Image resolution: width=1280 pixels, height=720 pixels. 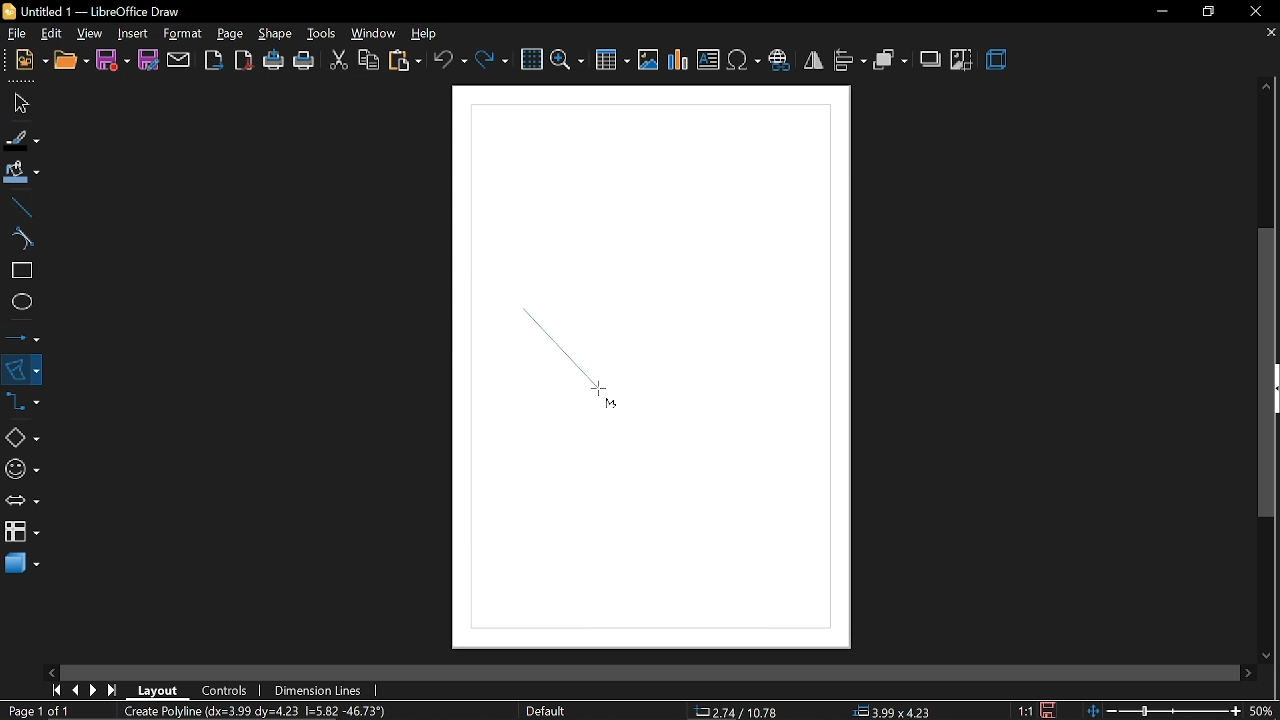 I want to click on help, so click(x=427, y=34).